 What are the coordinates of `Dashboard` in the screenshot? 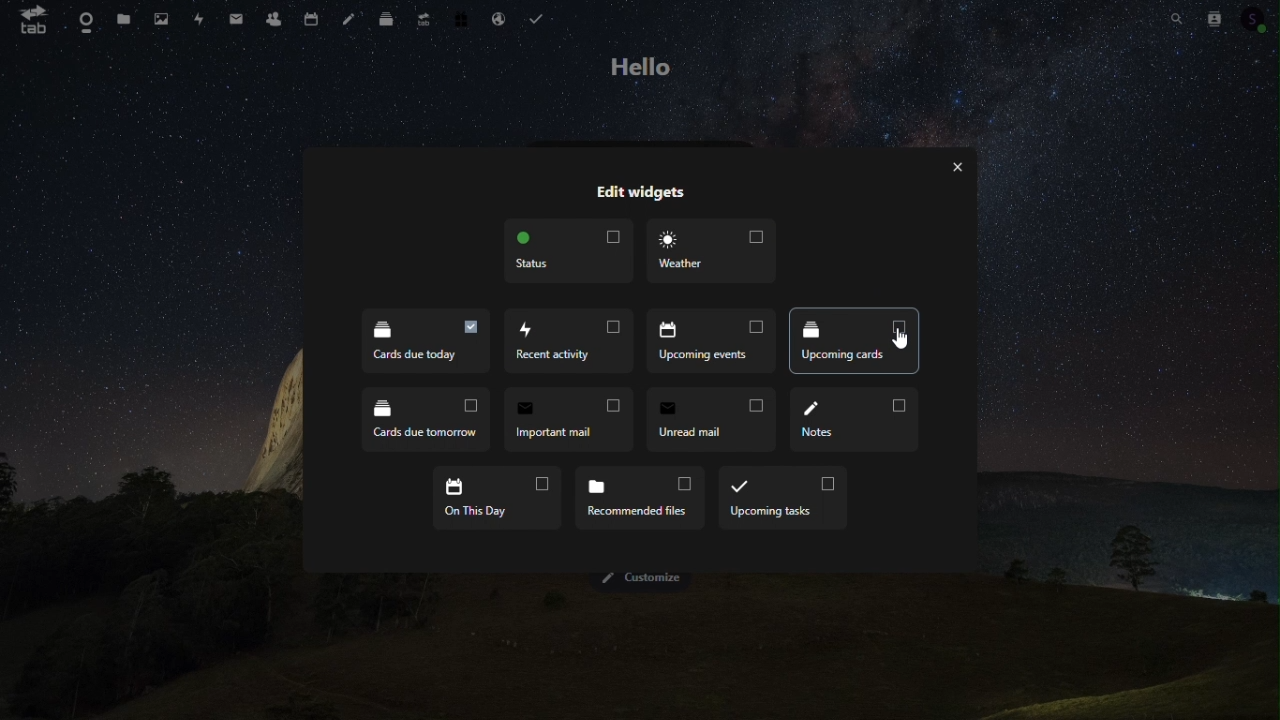 It's located at (86, 19).